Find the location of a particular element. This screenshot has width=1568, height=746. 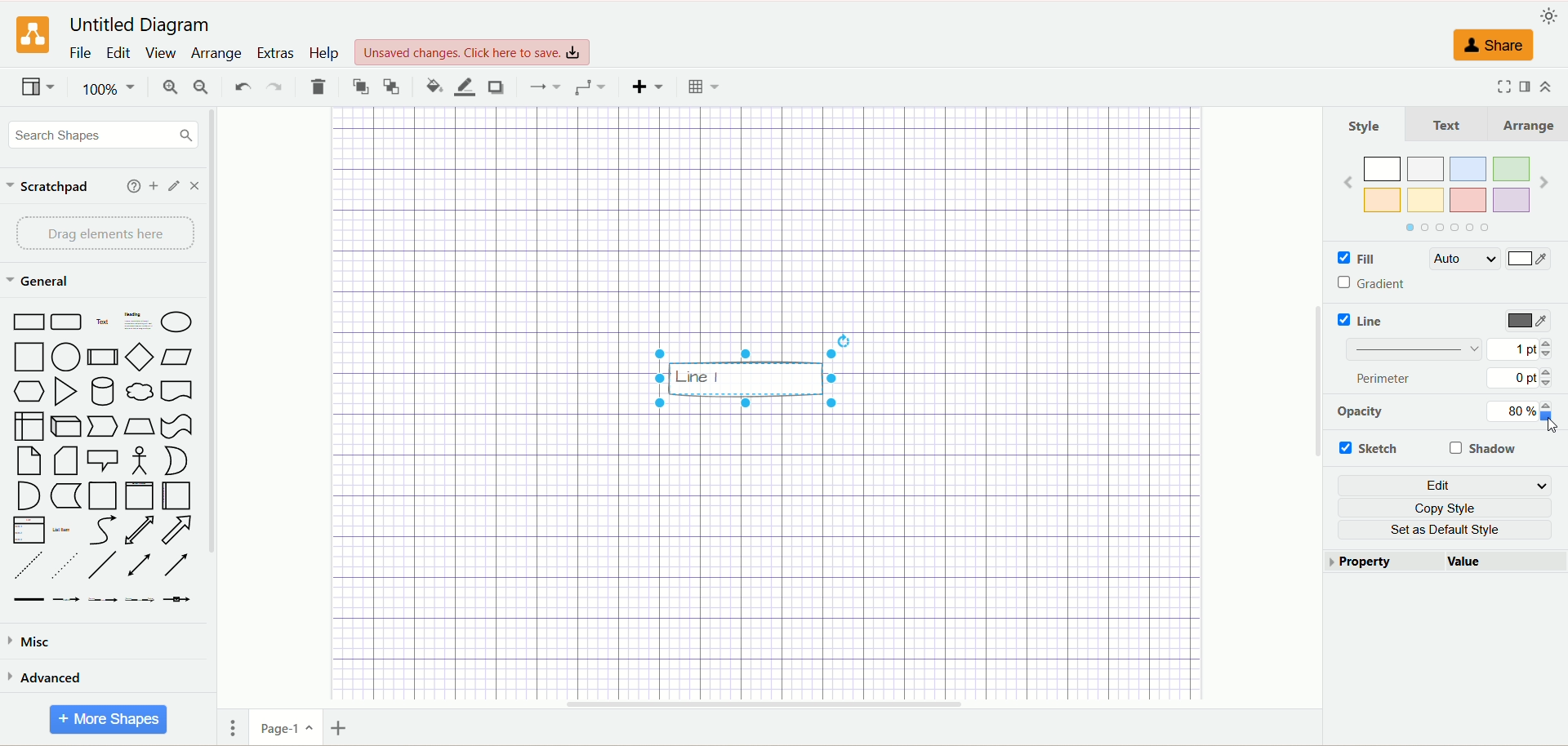

perimeter is located at coordinates (1389, 378).